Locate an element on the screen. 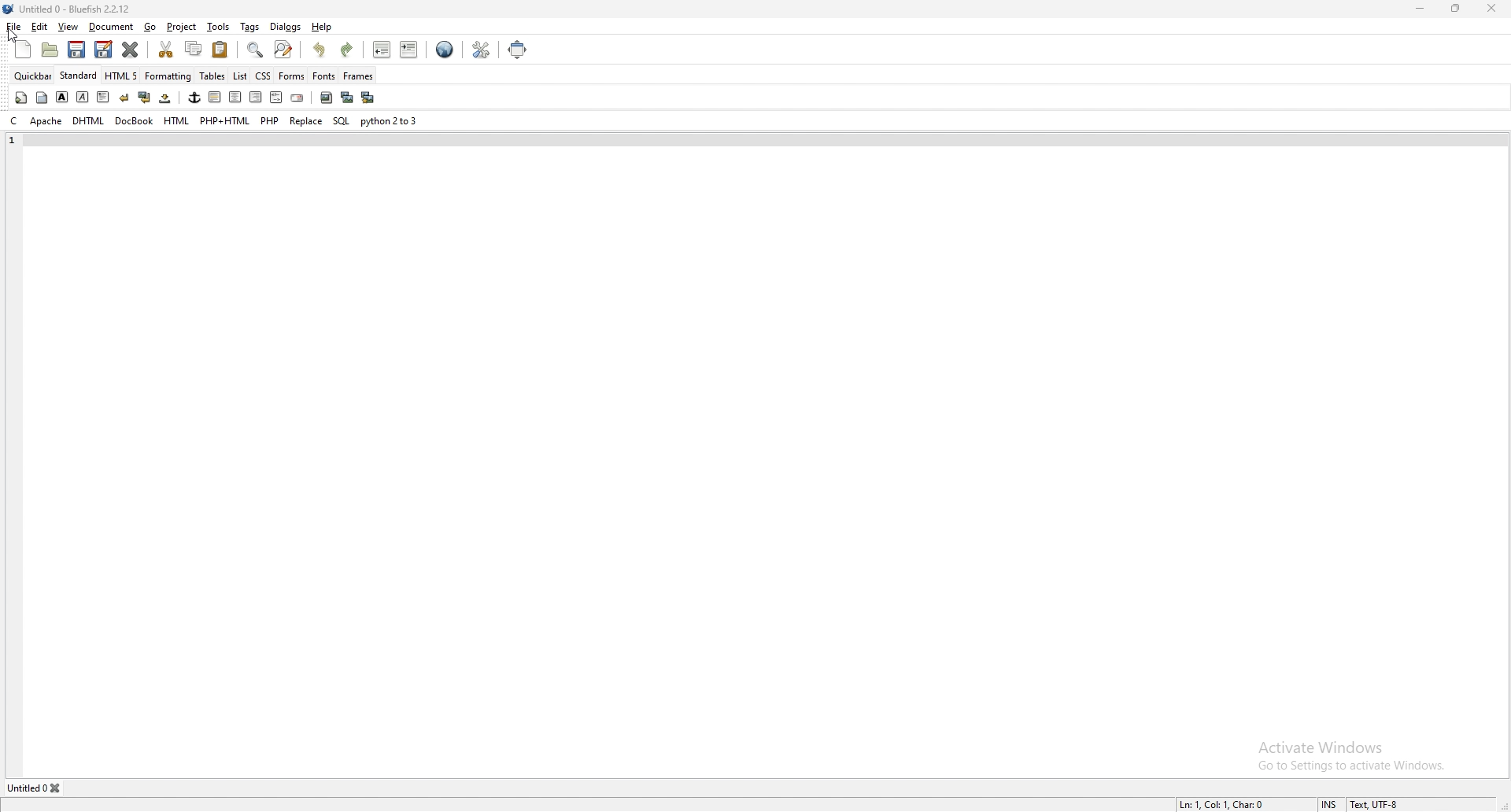 The width and height of the screenshot is (1511, 812). go is located at coordinates (152, 27).